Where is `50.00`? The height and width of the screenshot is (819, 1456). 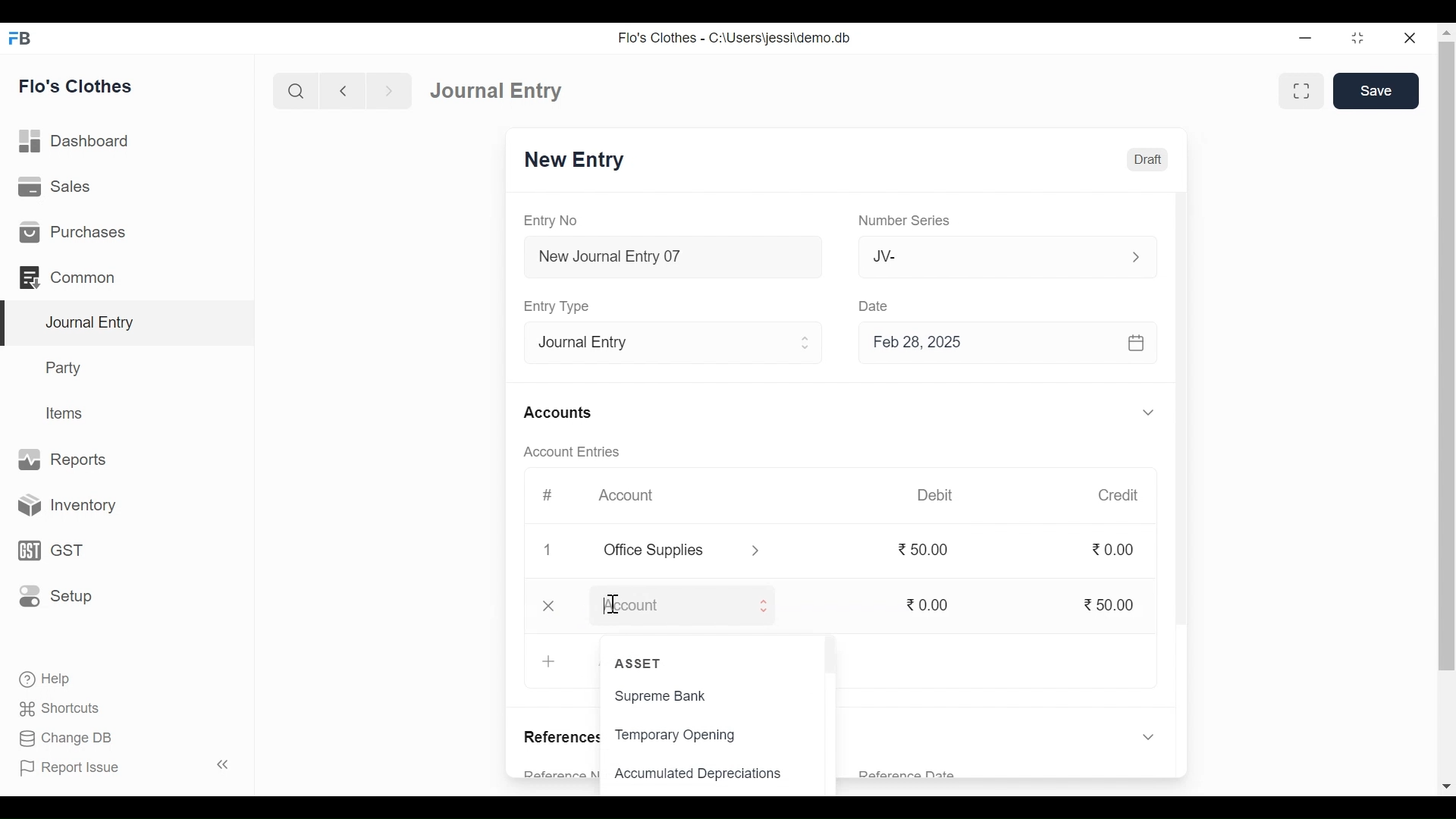
50.00 is located at coordinates (924, 548).